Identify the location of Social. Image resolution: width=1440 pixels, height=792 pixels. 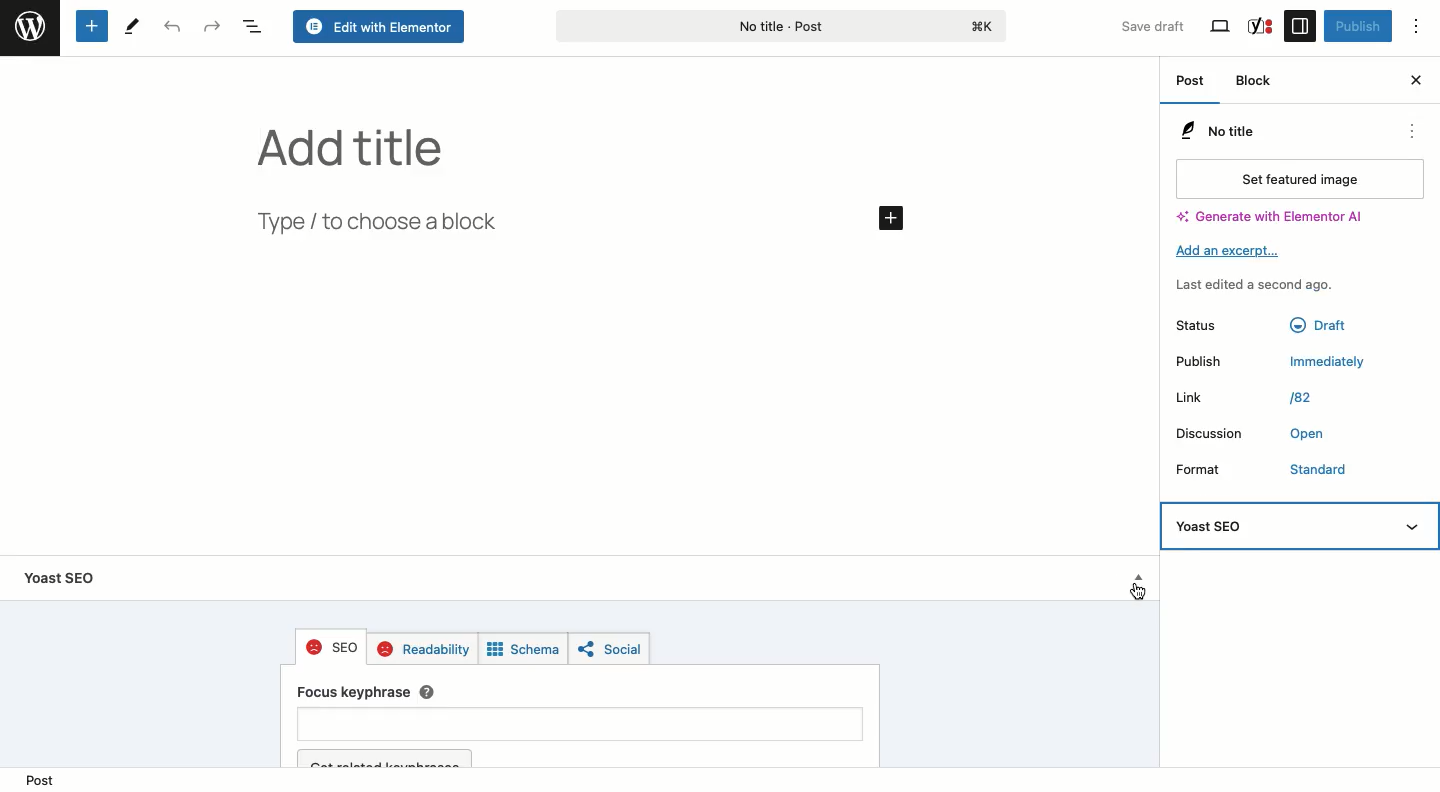
(609, 650).